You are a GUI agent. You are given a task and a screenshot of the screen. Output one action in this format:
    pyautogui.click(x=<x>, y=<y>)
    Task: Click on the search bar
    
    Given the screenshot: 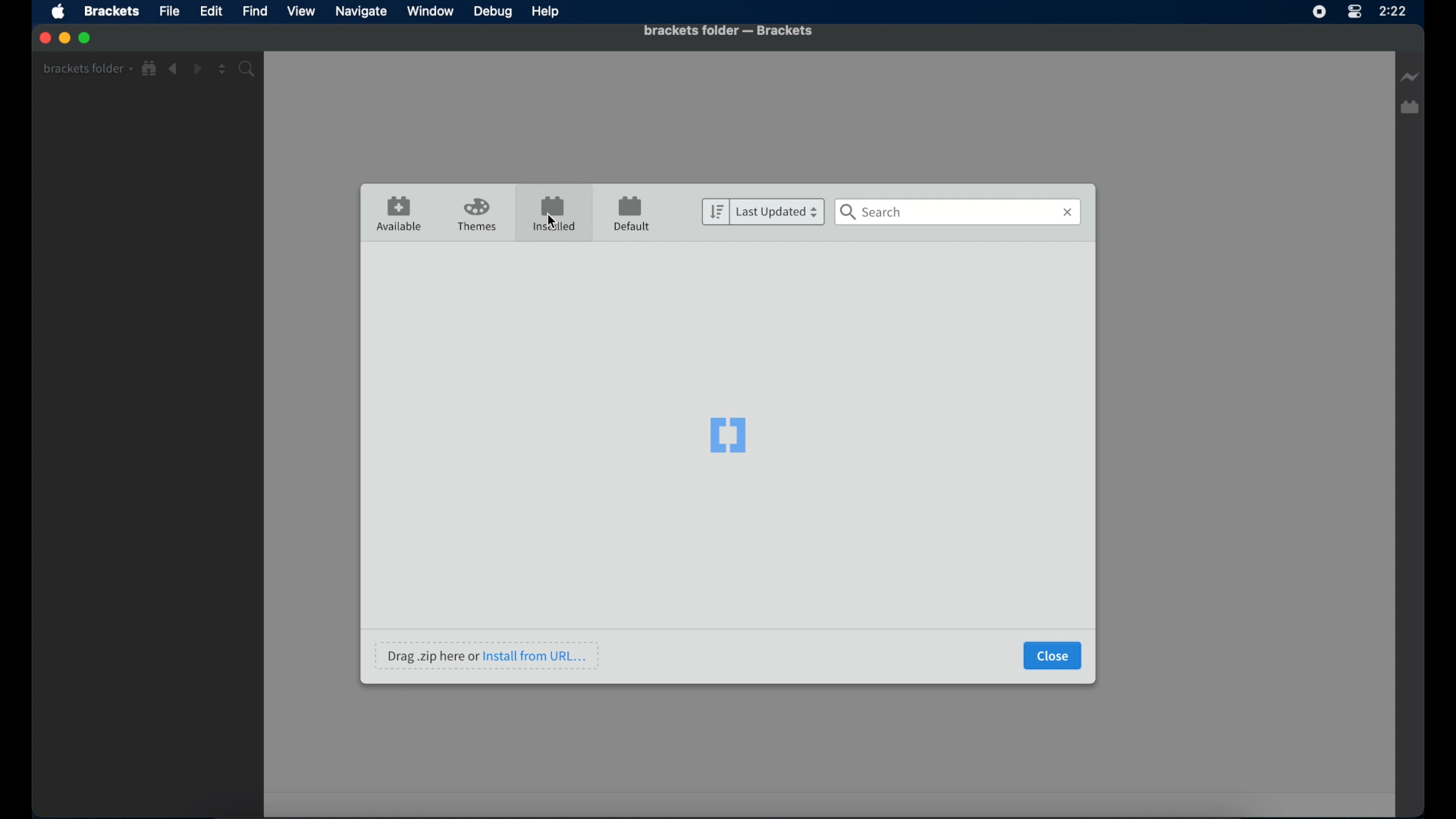 What is the action you would take?
    pyautogui.click(x=249, y=69)
    